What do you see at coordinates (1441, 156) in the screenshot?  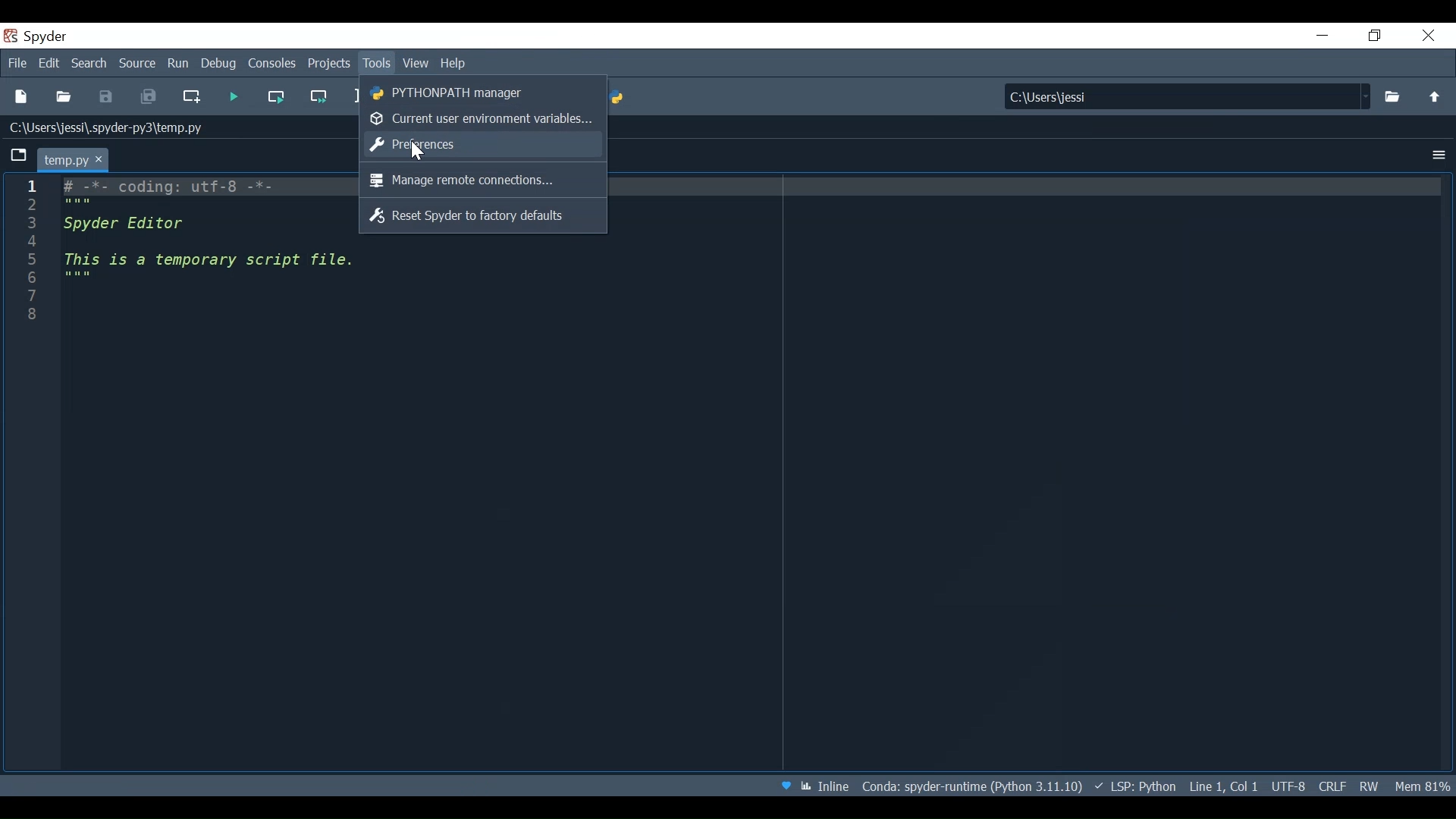 I see `Options` at bounding box center [1441, 156].